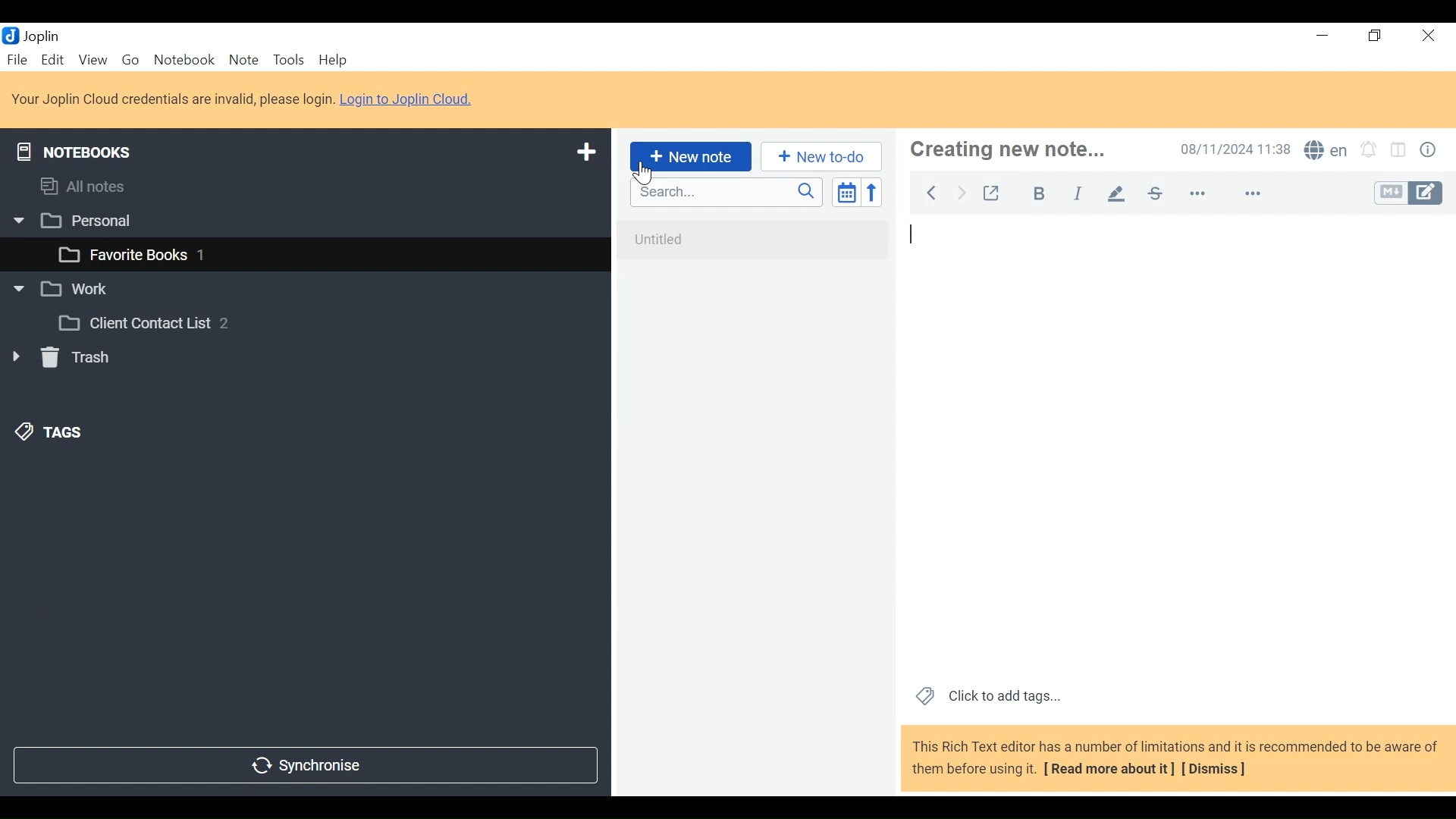  What do you see at coordinates (990, 697) in the screenshot?
I see `Click to add tags` at bounding box center [990, 697].